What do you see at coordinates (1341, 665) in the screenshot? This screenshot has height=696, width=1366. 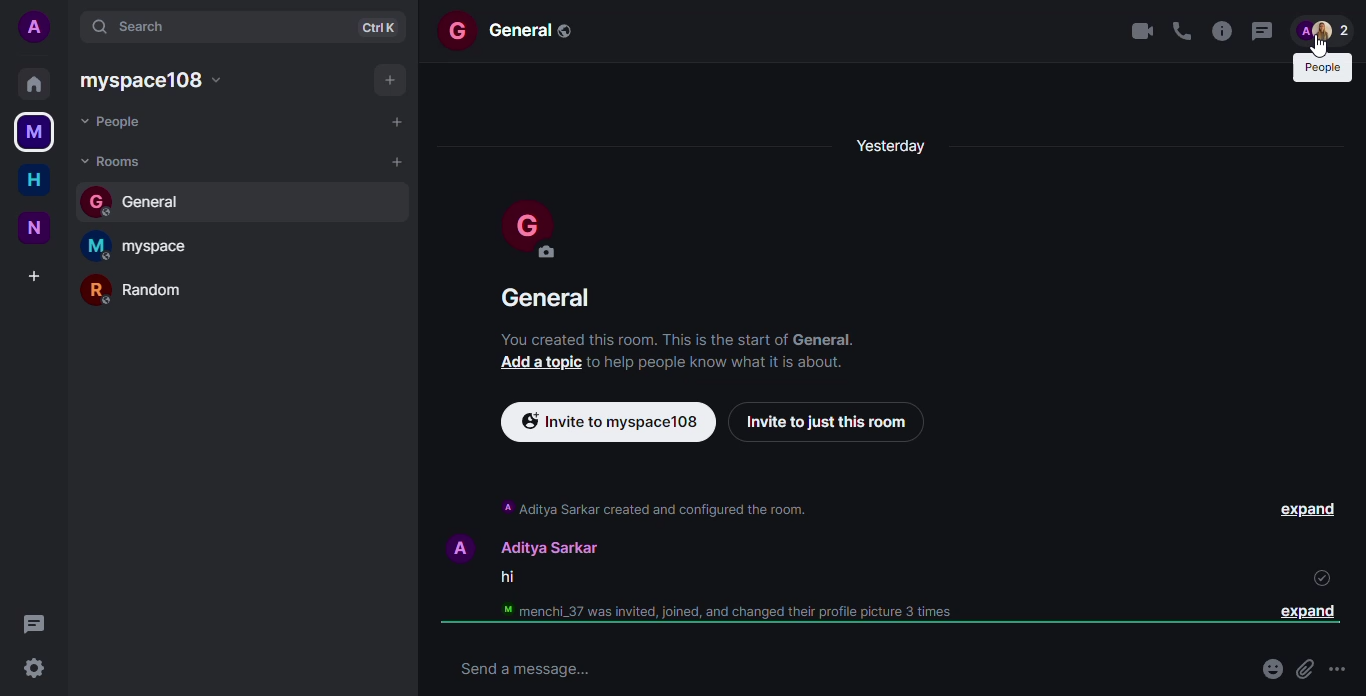 I see `more` at bounding box center [1341, 665].